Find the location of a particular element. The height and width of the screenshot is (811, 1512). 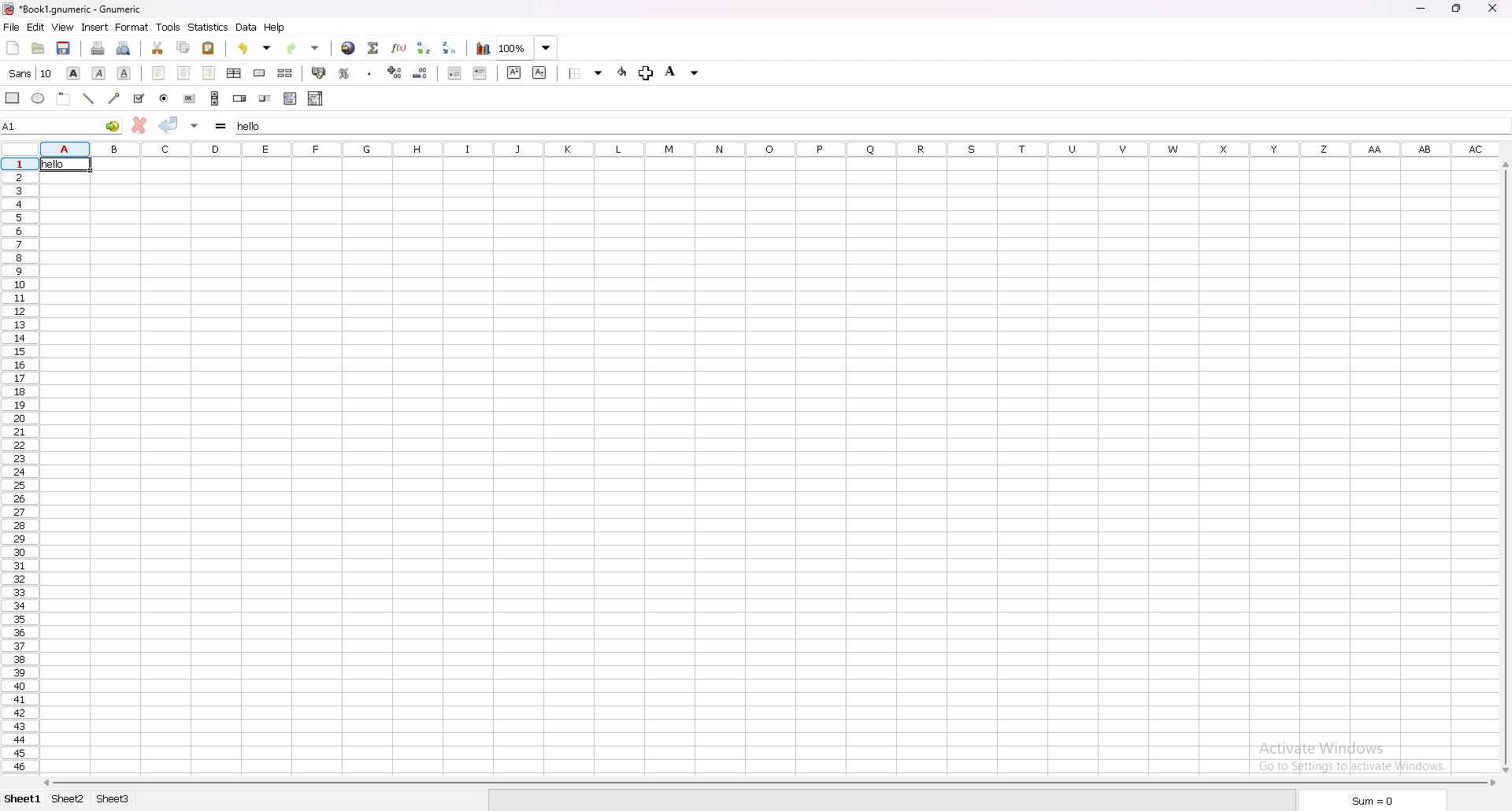

decrease decimals is located at coordinates (421, 72).